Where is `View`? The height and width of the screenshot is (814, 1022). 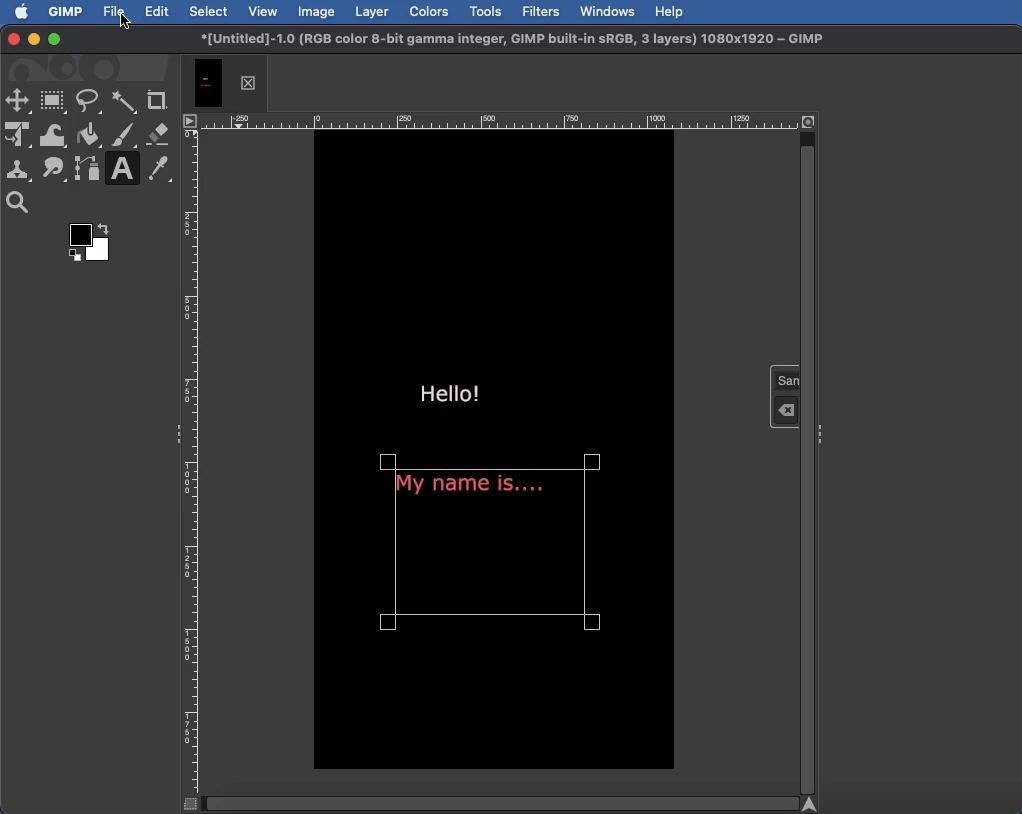 View is located at coordinates (265, 12).